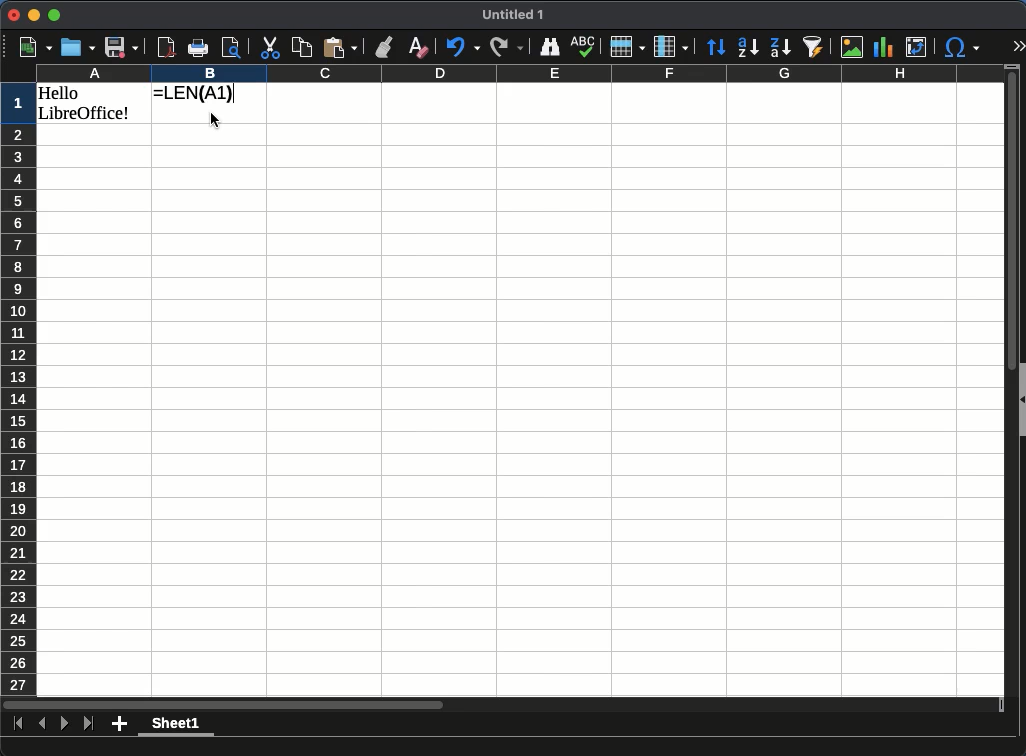 The image size is (1026, 756). What do you see at coordinates (339, 46) in the screenshot?
I see `paste` at bounding box center [339, 46].